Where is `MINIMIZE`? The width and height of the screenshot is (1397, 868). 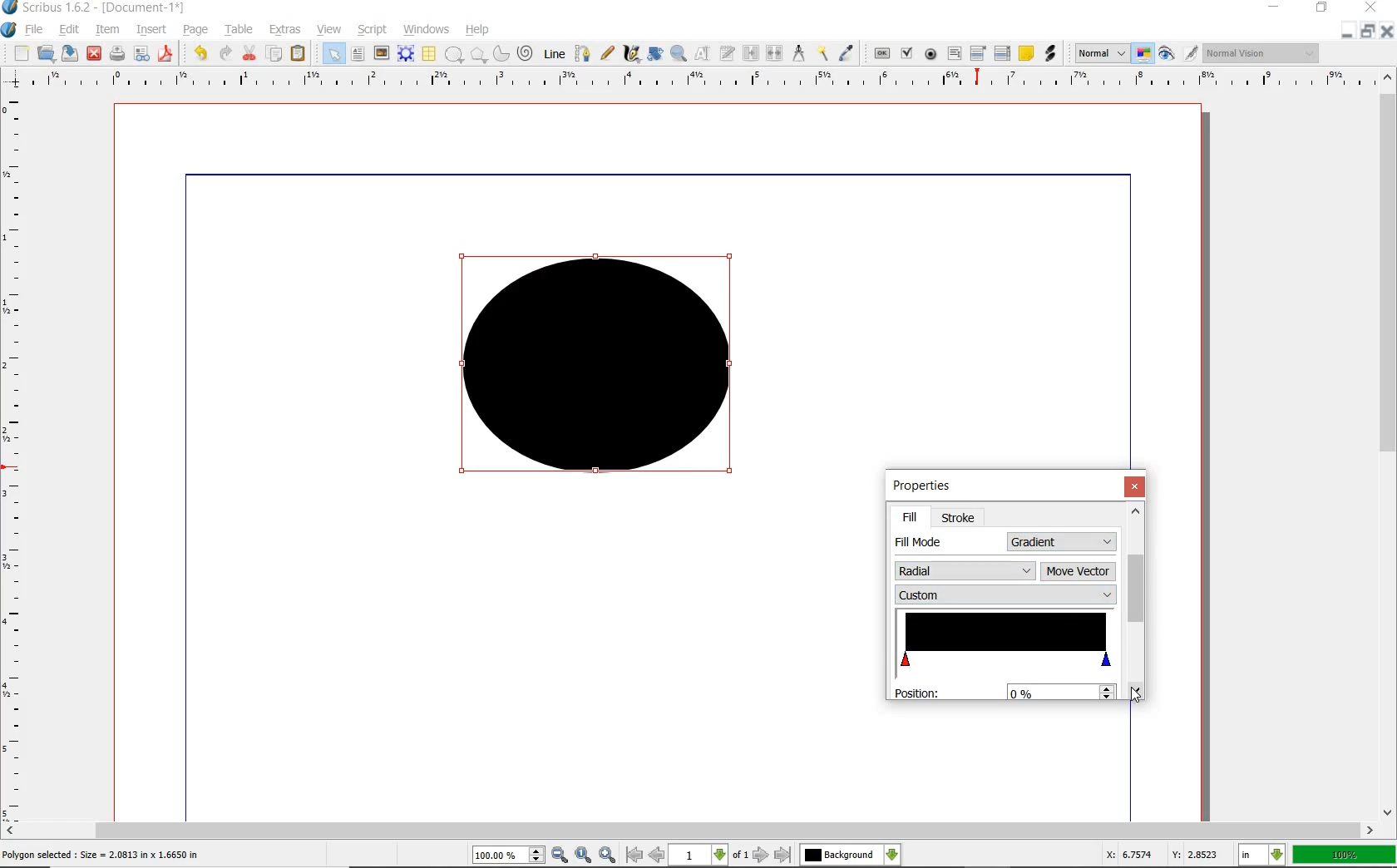 MINIMIZE is located at coordinates (1276, 6).